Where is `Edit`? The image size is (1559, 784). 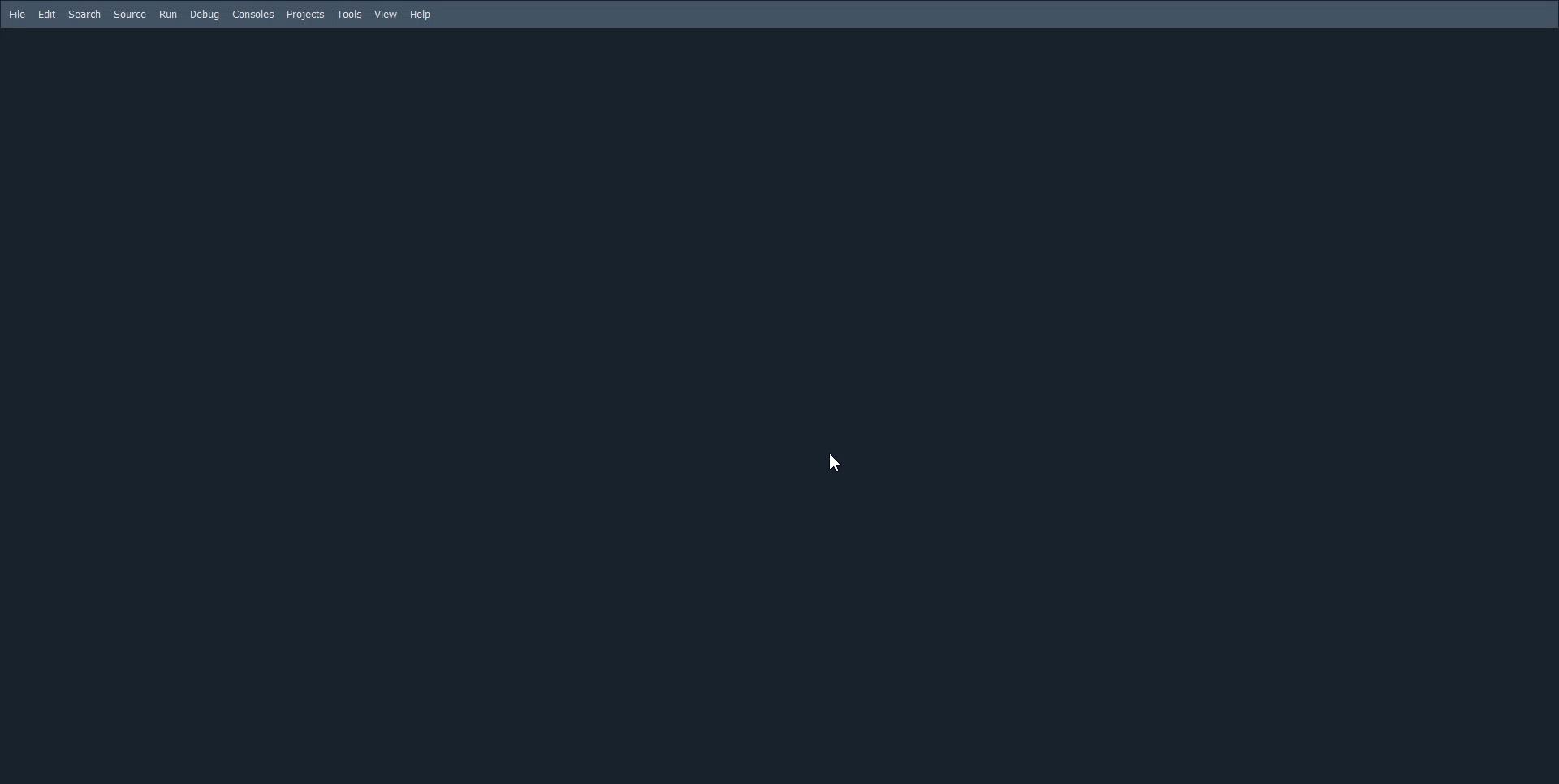 Edit is located at coordinates (46, 14).